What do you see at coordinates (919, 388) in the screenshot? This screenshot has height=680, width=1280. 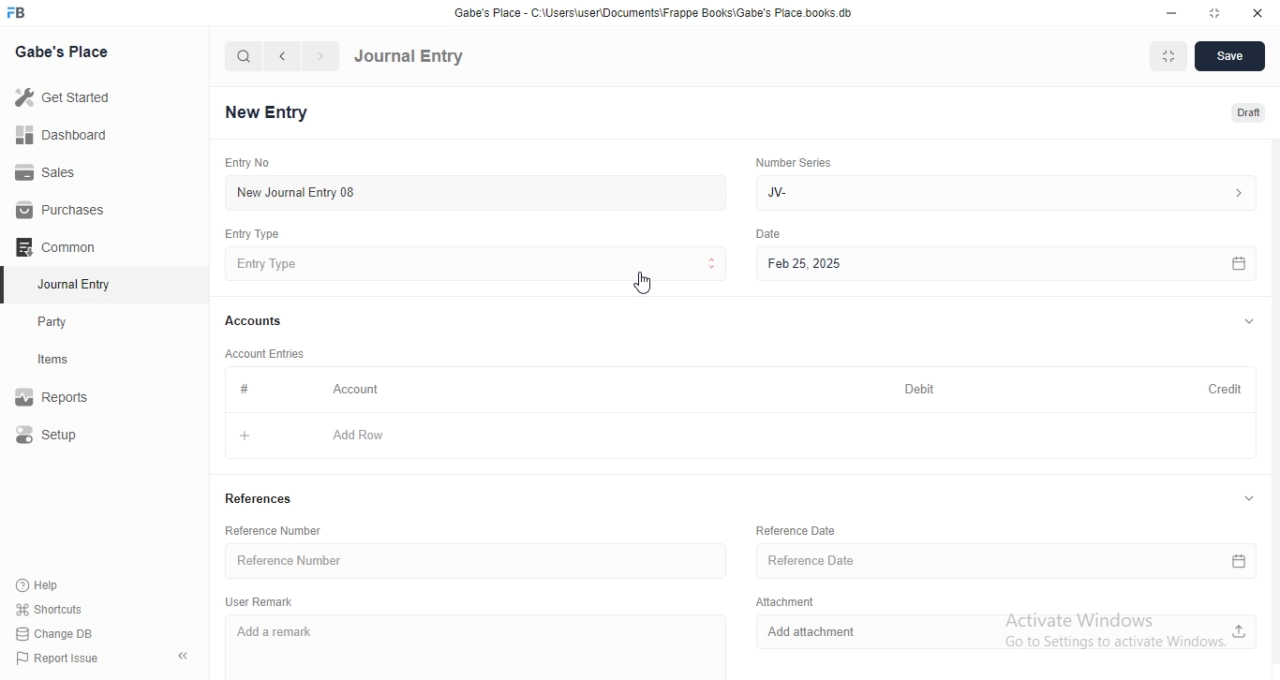 I see `Debit` at bounding box center [919, 388].